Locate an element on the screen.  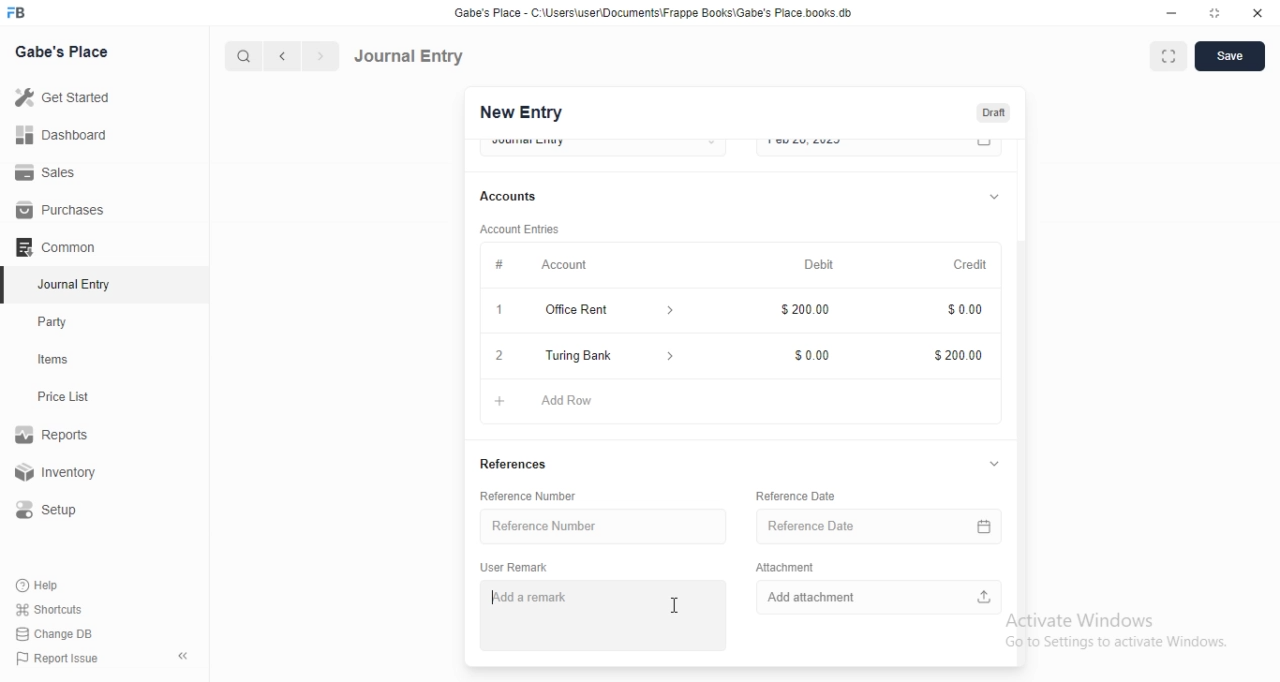
Accounts is located at coordinates (511, 196).